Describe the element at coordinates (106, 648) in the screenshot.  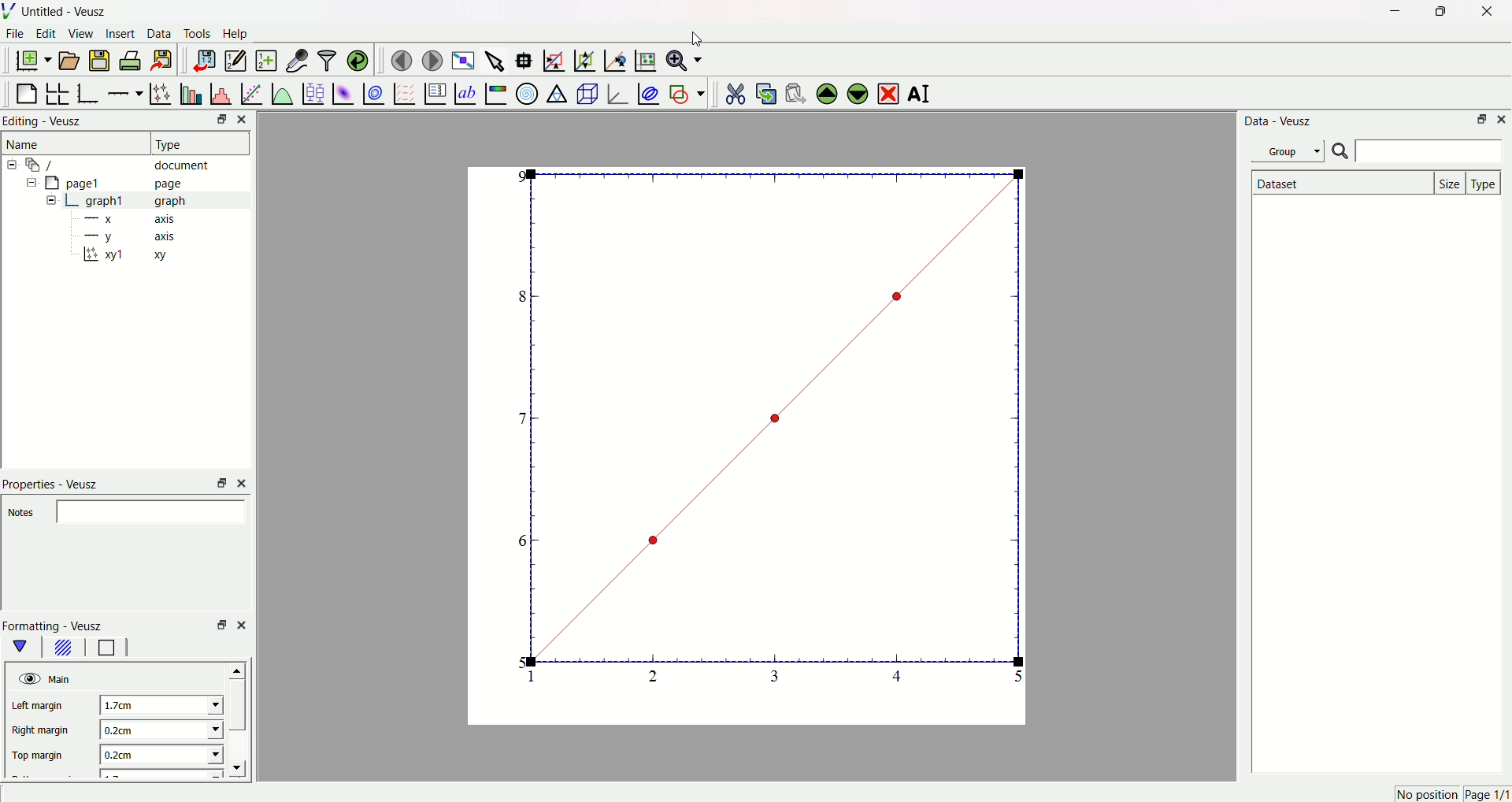
I see `border` at that location.